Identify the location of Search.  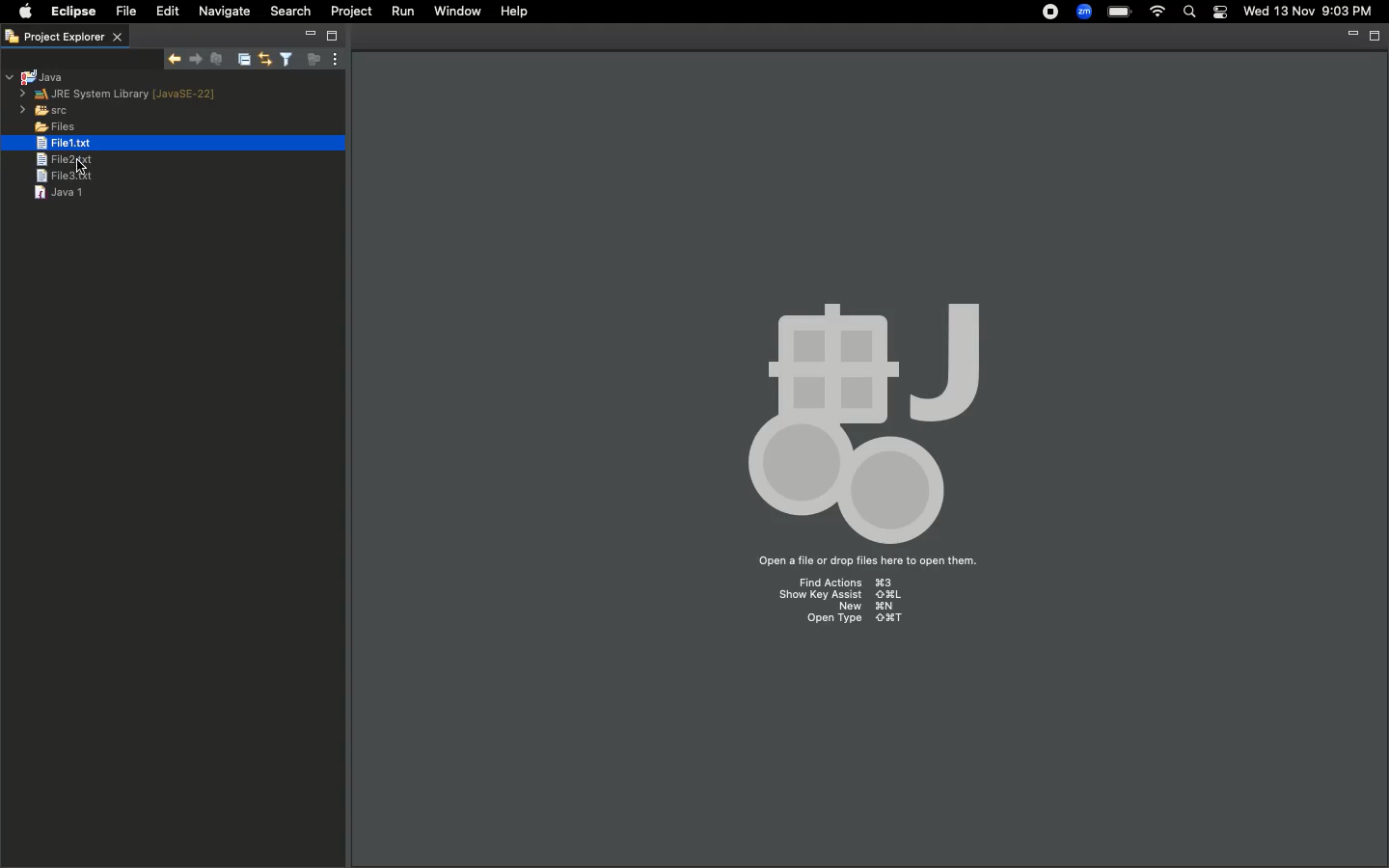
(291, 11).